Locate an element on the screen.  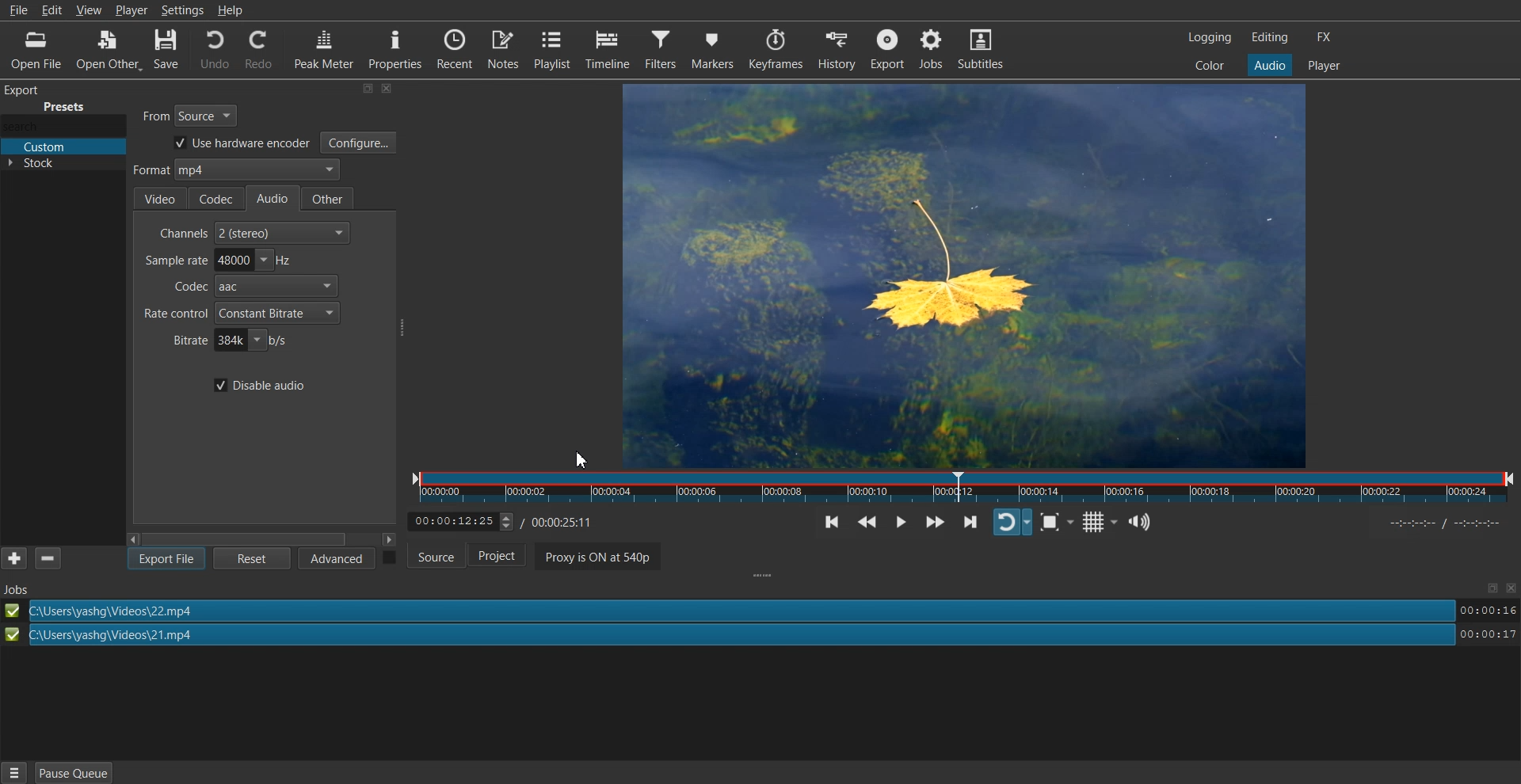
Keyframes is located at coordinates (778, 48).